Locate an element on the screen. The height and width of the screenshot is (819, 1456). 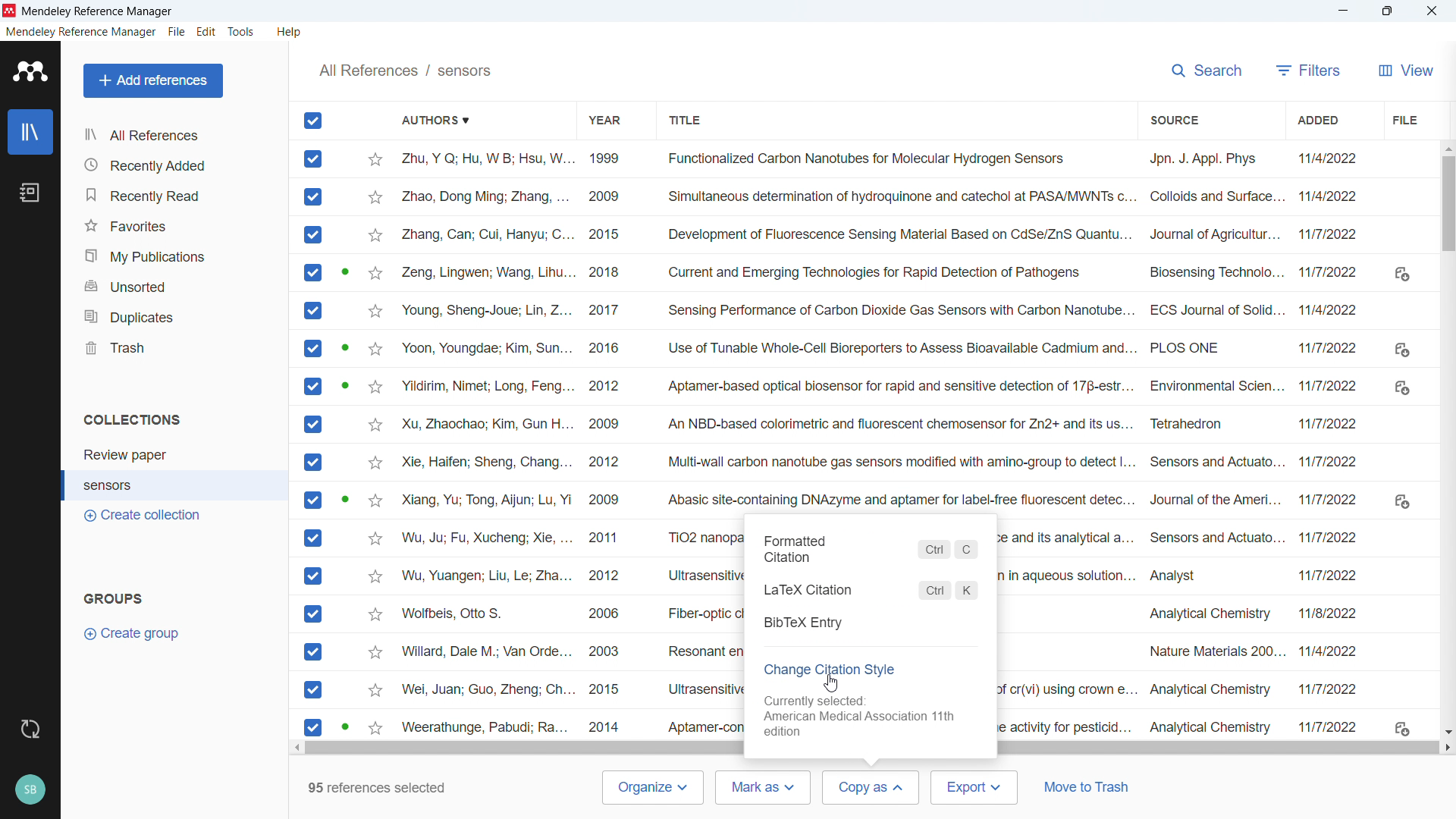
Date of addition of individual entries is located at coordinates (1332, 443).